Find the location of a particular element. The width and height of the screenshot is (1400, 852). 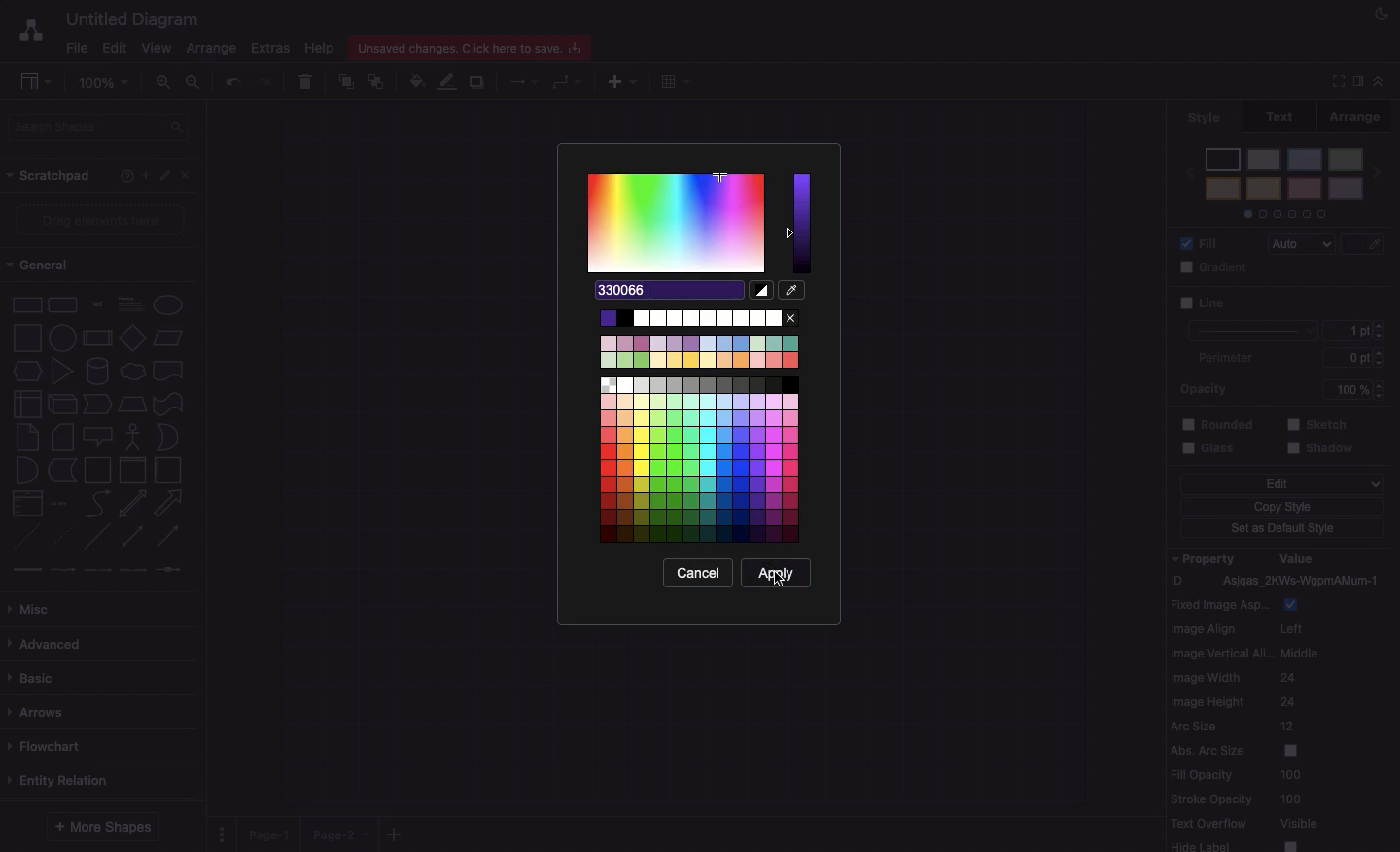

Undo is located at coordinates (231, 80).